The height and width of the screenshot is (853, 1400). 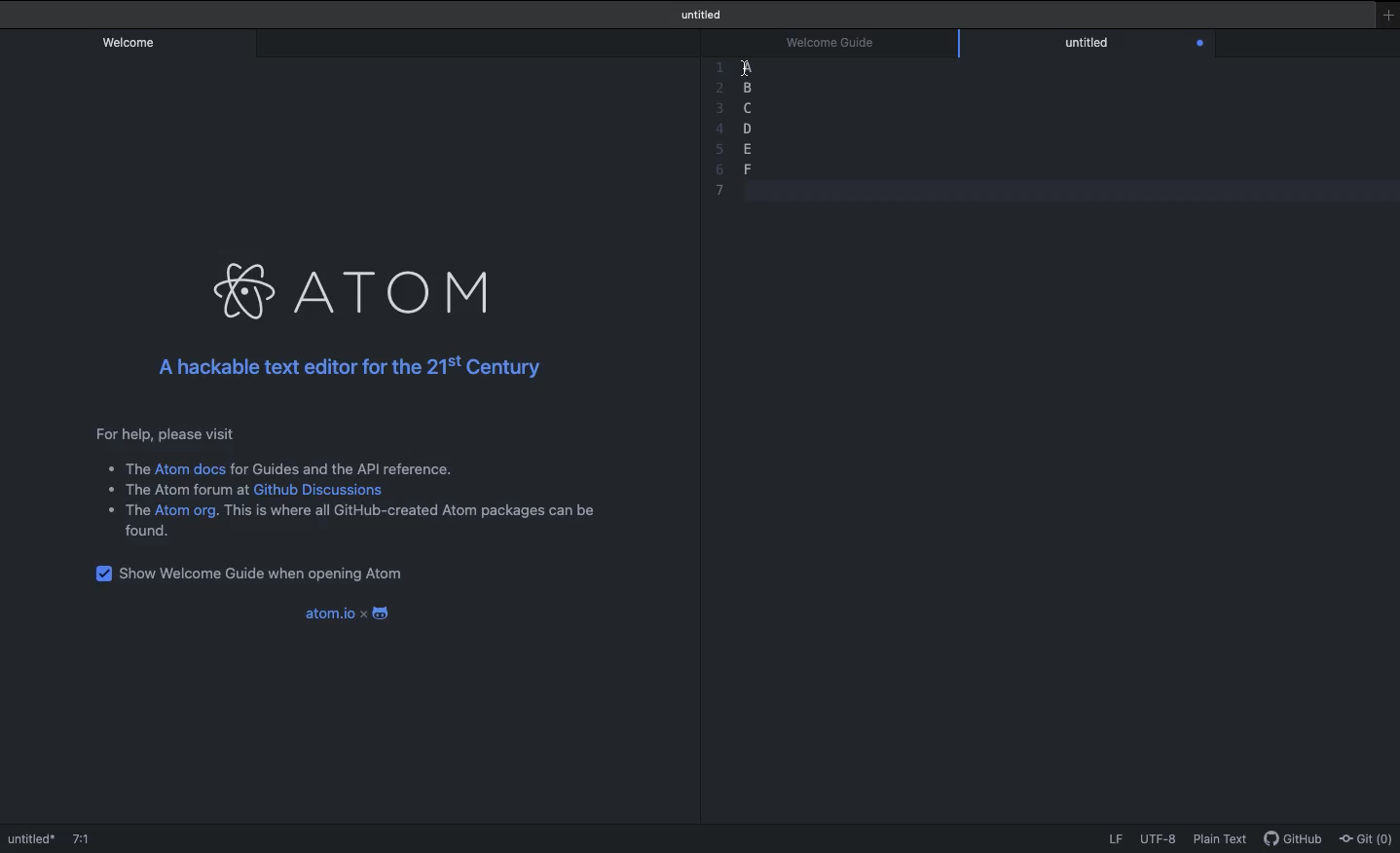 What do you see at coordinates (1294, 842) in the screenshot?
I see `GitHub` at bounding box center [1294, 842].